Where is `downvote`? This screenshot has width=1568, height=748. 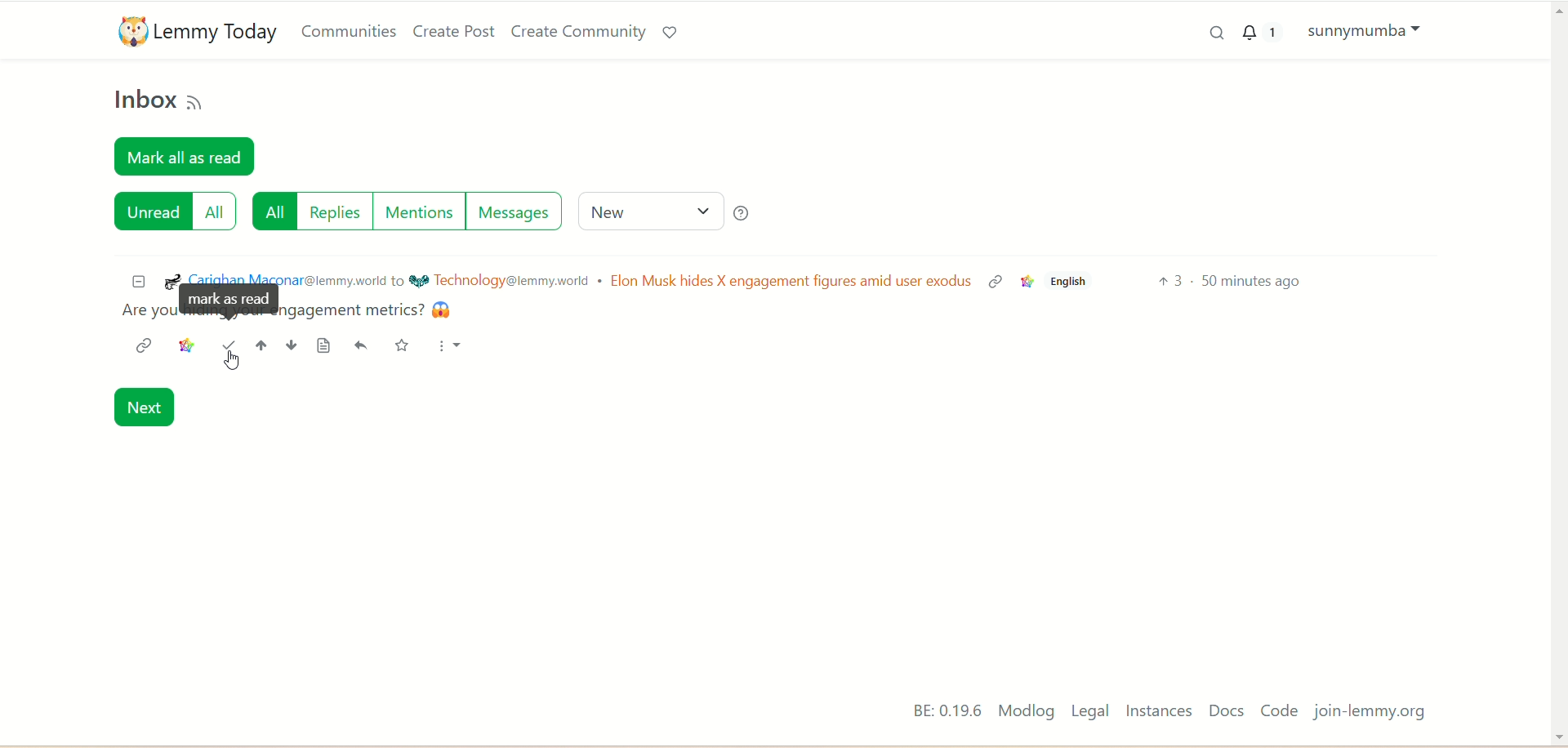 downvote is located at coordinates (296, 350).